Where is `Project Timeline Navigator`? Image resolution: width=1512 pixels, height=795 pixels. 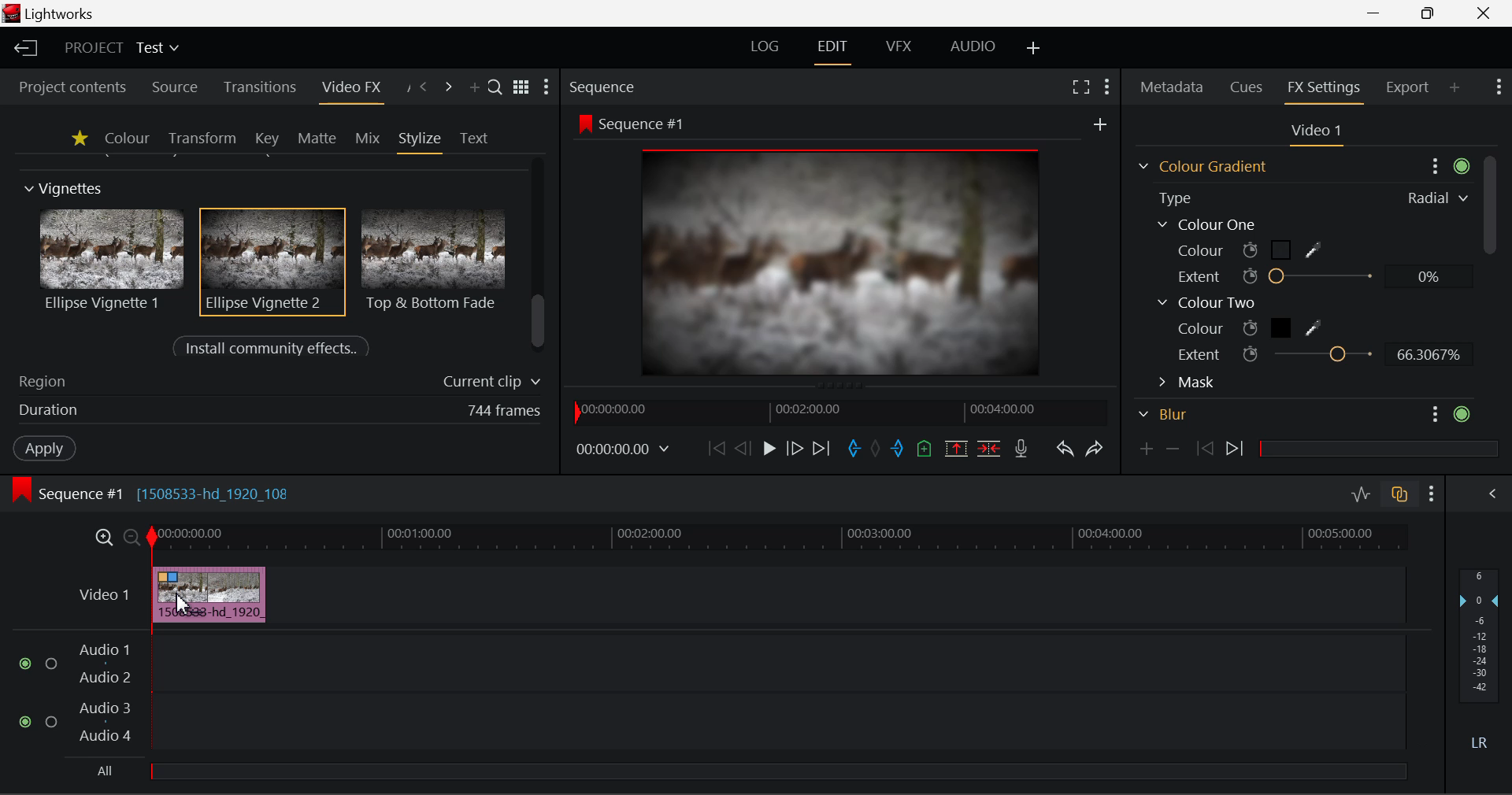
Project Timeline Navigator is located at coordinates (836, 412).